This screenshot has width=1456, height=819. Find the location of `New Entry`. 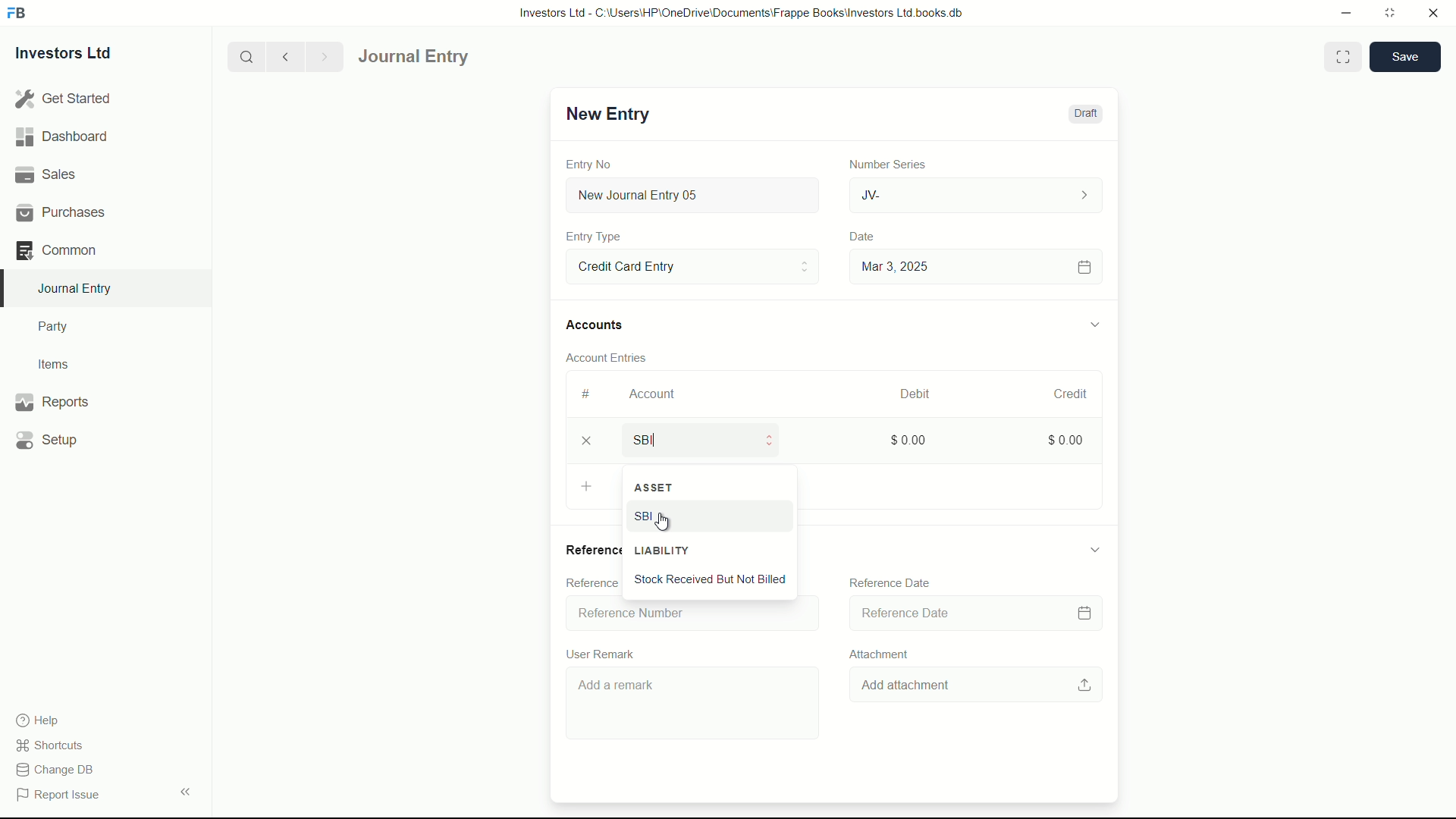

New Entry is located at coordinates (605, 114).